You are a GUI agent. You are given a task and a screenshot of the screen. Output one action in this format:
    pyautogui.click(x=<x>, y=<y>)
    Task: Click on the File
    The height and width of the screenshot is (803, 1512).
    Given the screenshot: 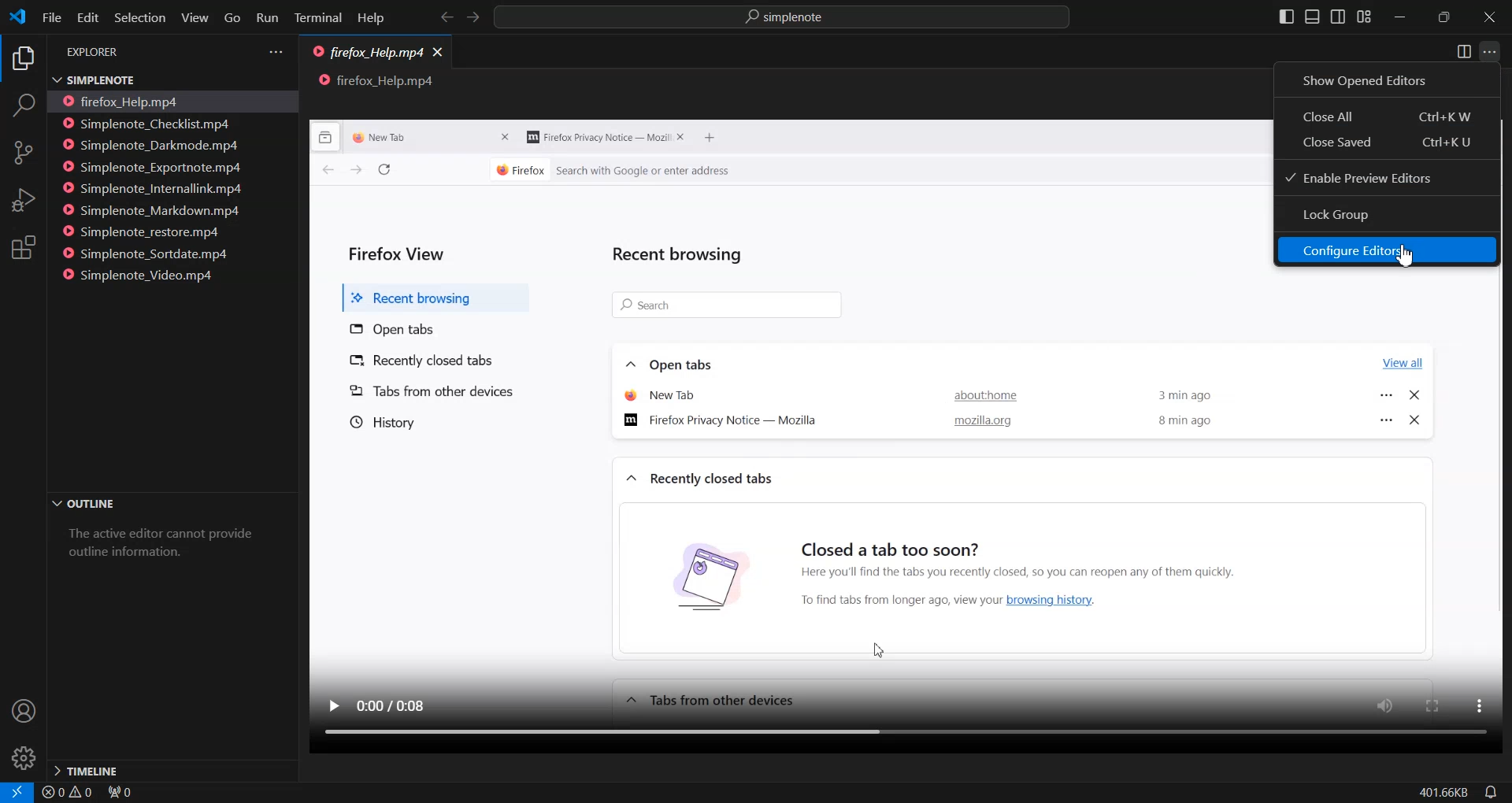 What is the action you would take?
    pyautogui.click(x=50, y=17)
    